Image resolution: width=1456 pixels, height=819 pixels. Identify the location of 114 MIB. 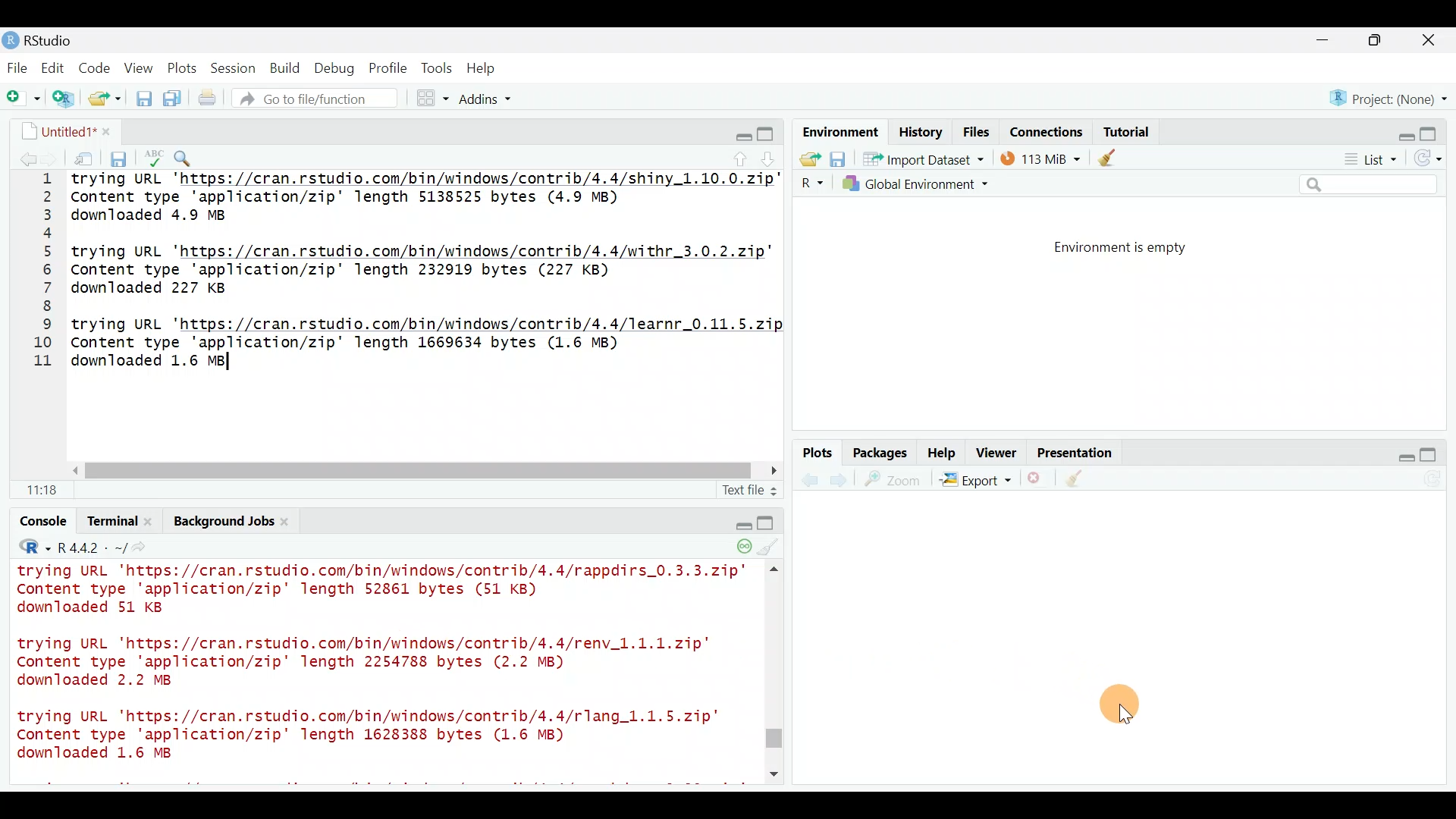
(1040, 158).